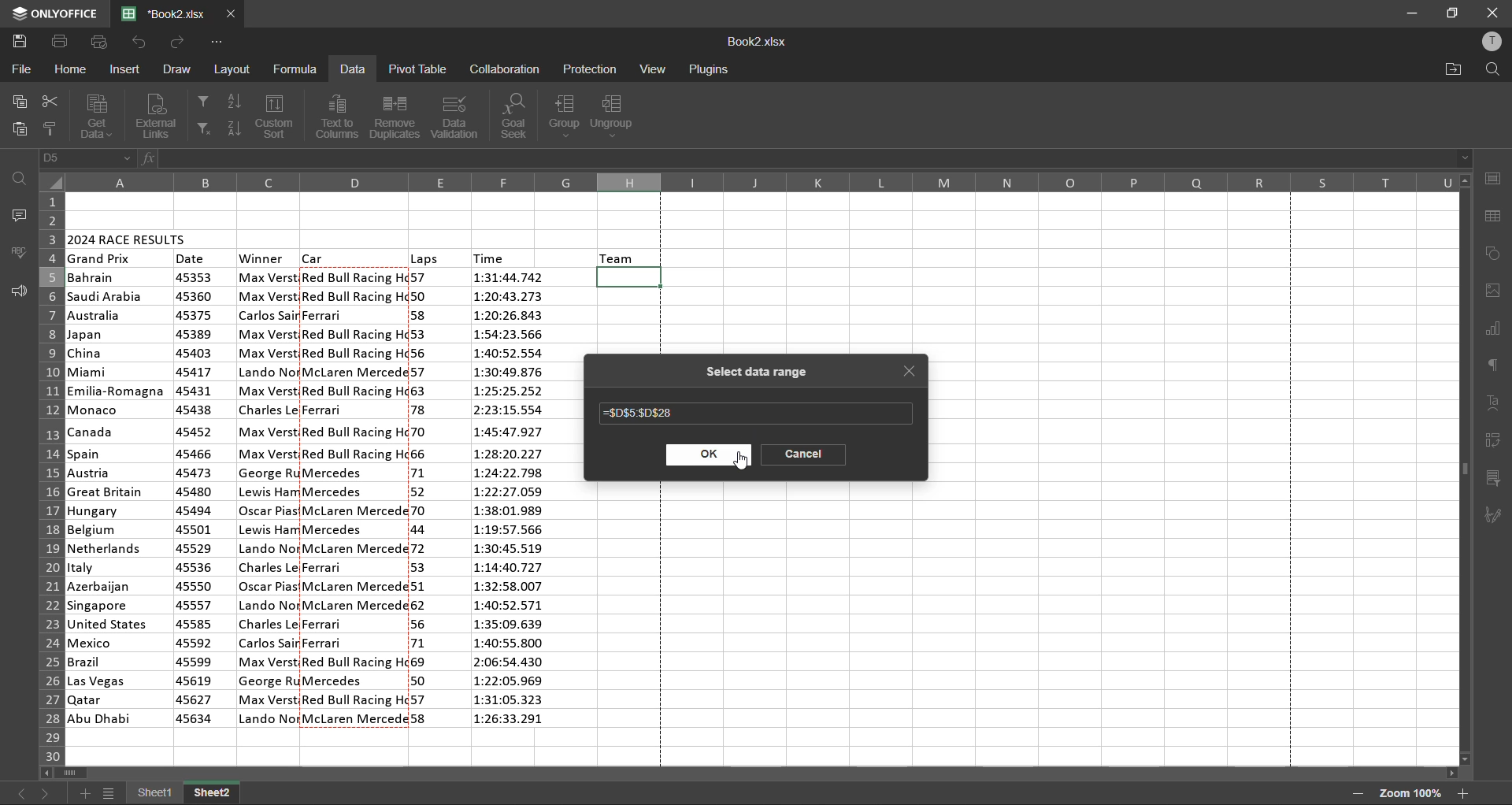 The height and width of the screenshot is (805, 1512). What do you see at coordinates (352, 71) in the screenshot?
I see `data` at bounding box center [352, 71].